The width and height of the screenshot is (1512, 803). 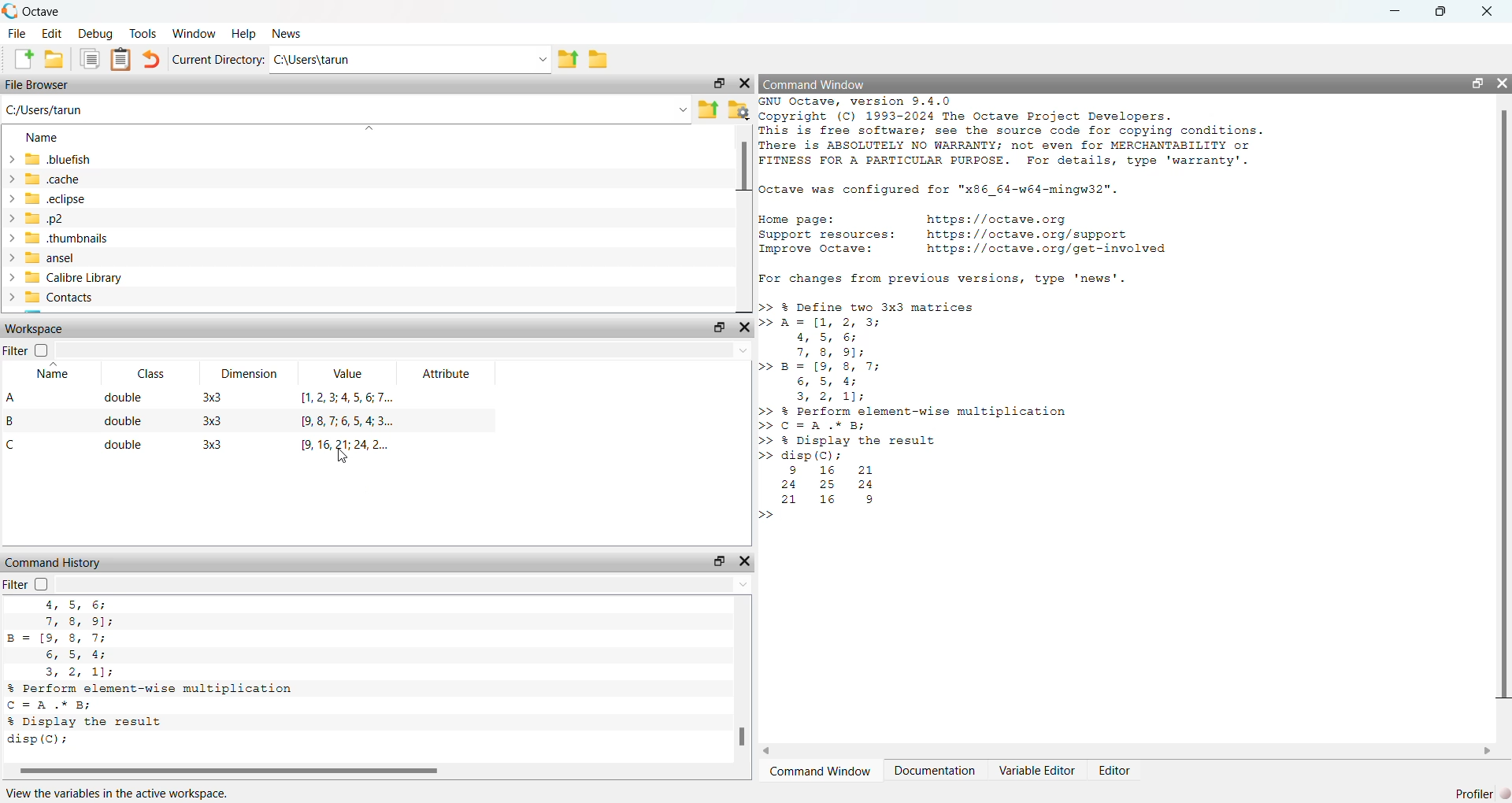 What do you see at coordinates (567, 60) in the screenshot?
I see `Parent Directory` at bounding box center [567, 60].